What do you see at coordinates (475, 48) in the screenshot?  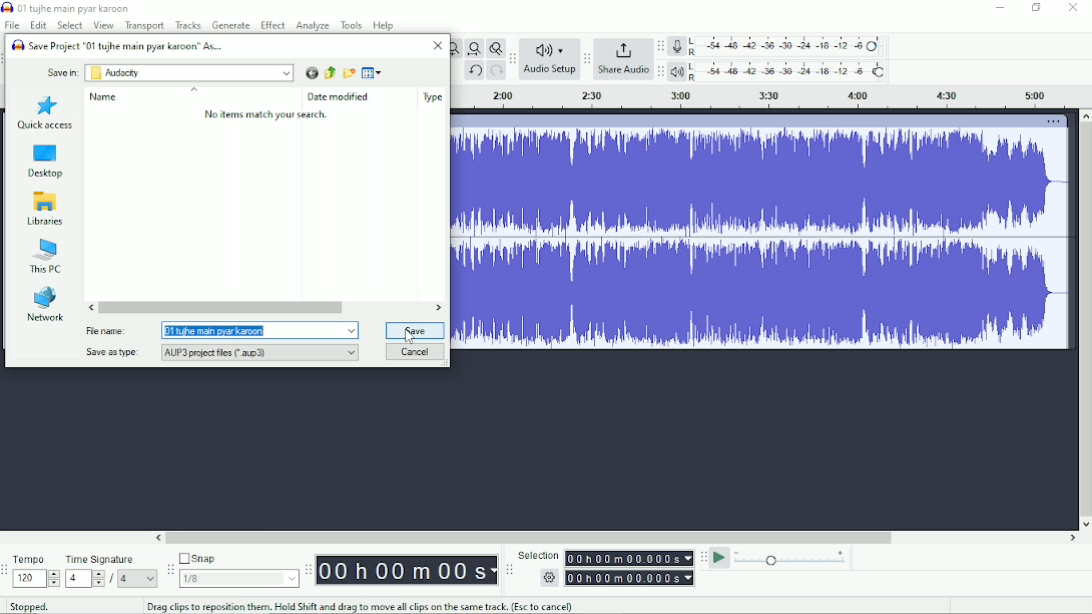 I see `Fit project to width` at bounding box center [475, 48].